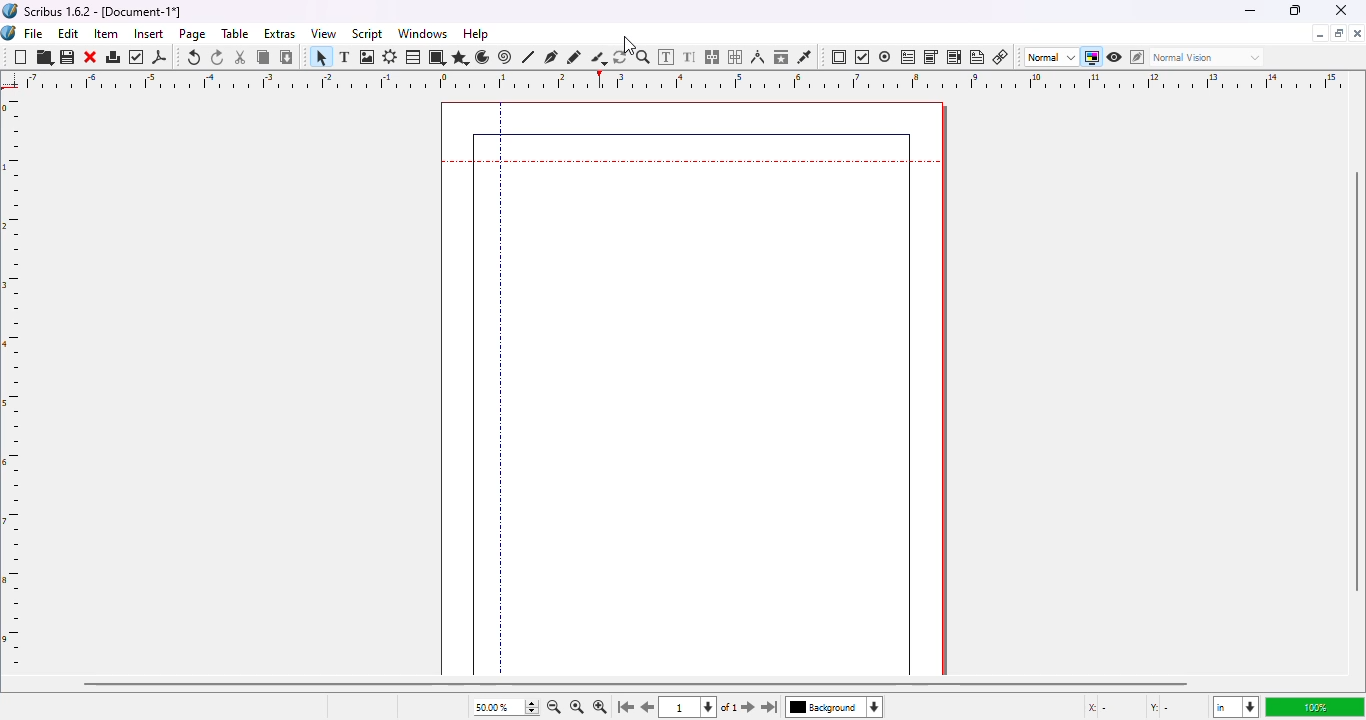 The height and width of the screenshot is (720, 1366). What do you see at coordinates (1357, 383) in the screenshot?
I see `vertical scroll bar` at bounding box center [1357, 383].